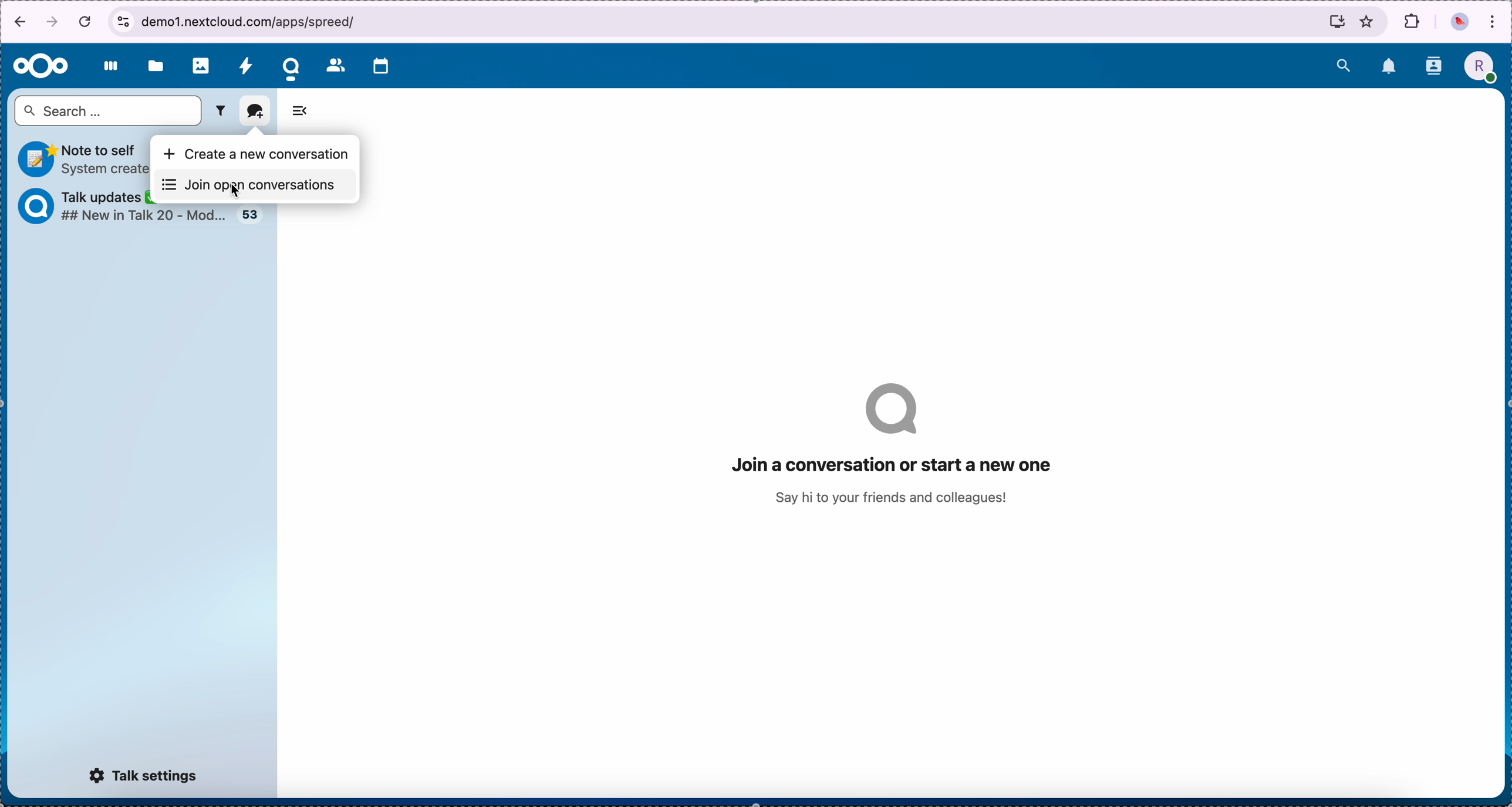  I want to click on navigation arrows, so click(33, 21).